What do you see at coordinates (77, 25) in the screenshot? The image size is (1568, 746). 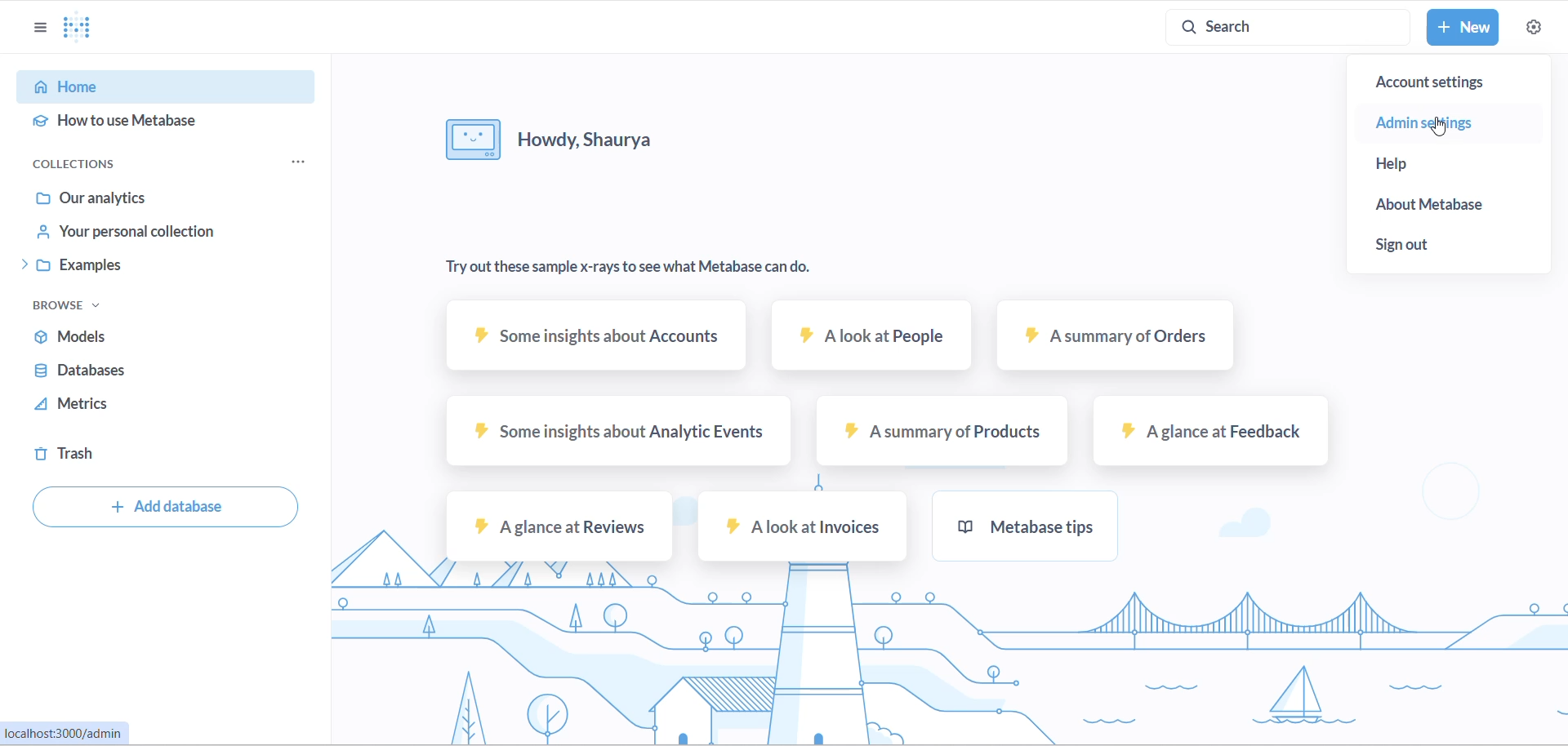 I see `META LOGO` at bounding box center [77, 25].